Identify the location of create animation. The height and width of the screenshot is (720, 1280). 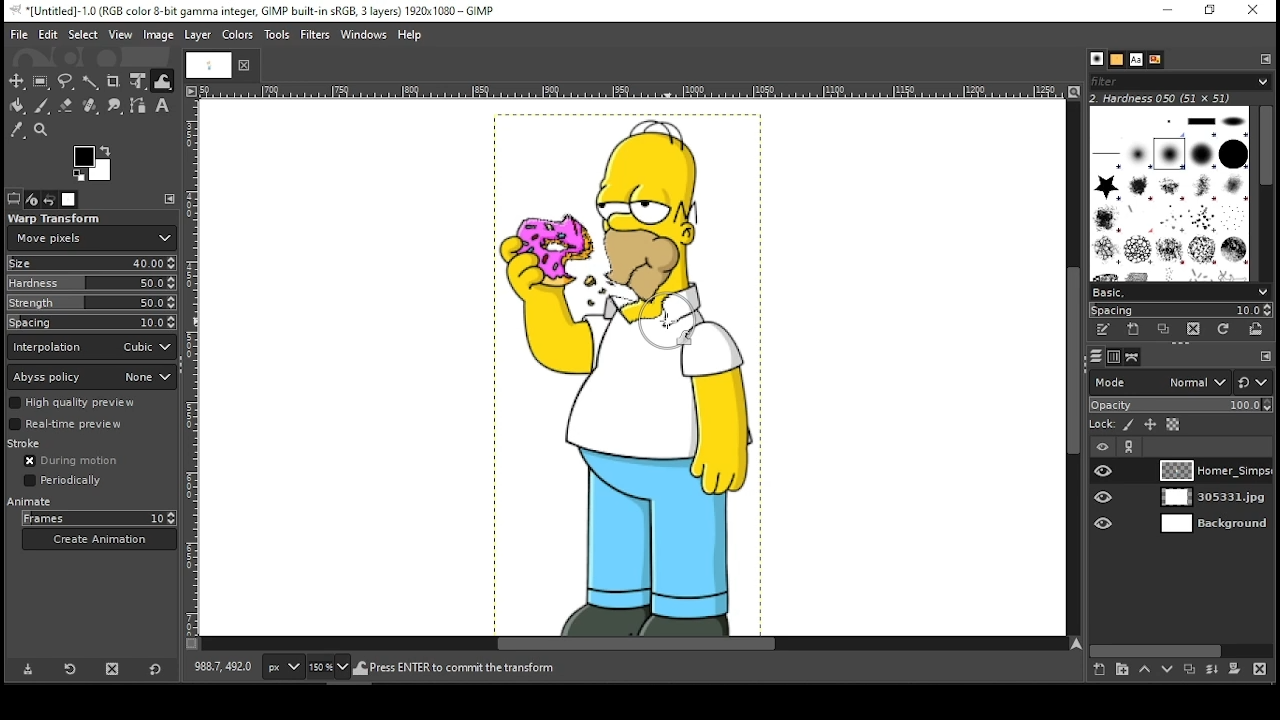
(98, 538).